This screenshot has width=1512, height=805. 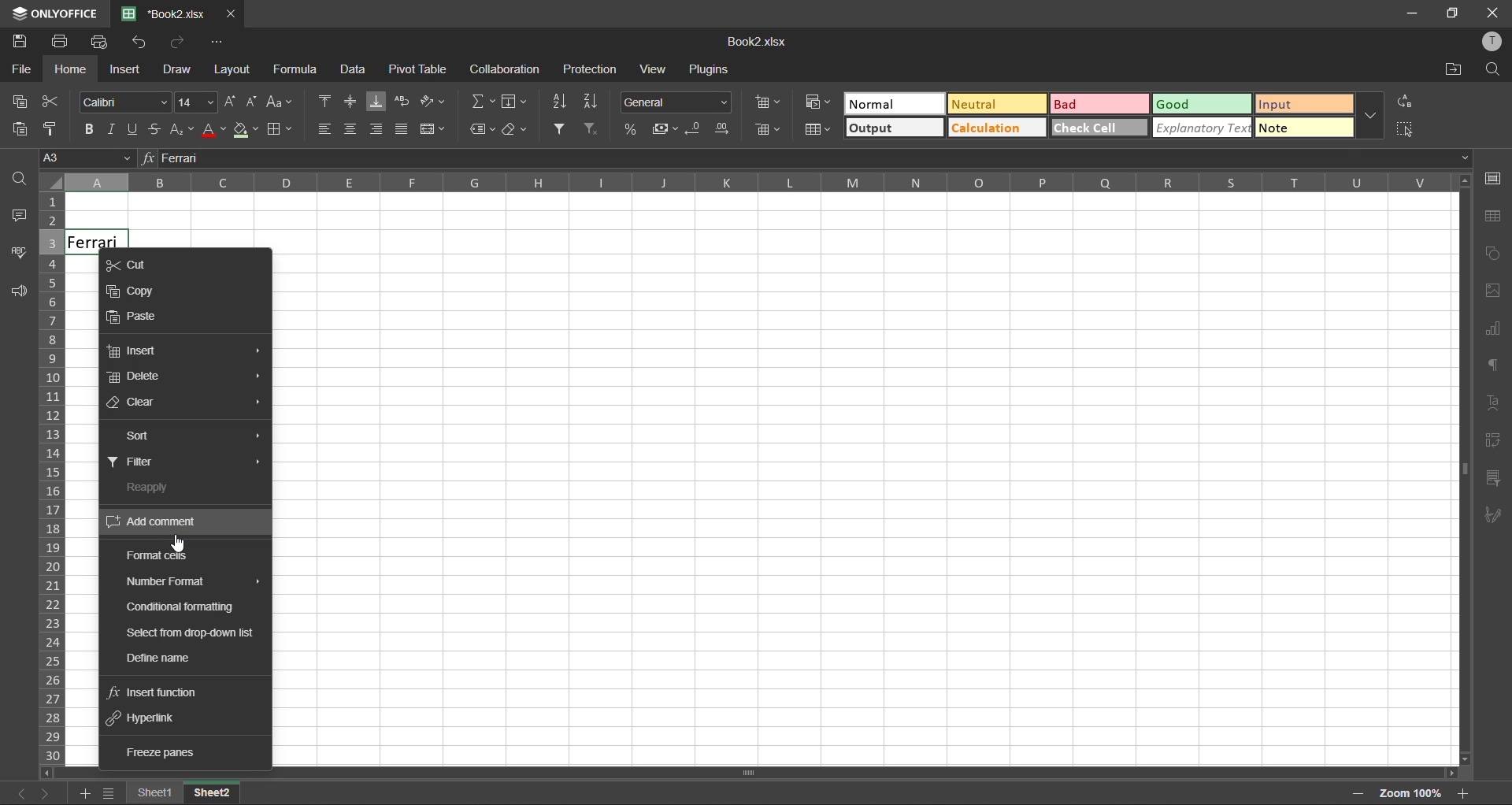 I want to click on save, so click(x=20, y=42).